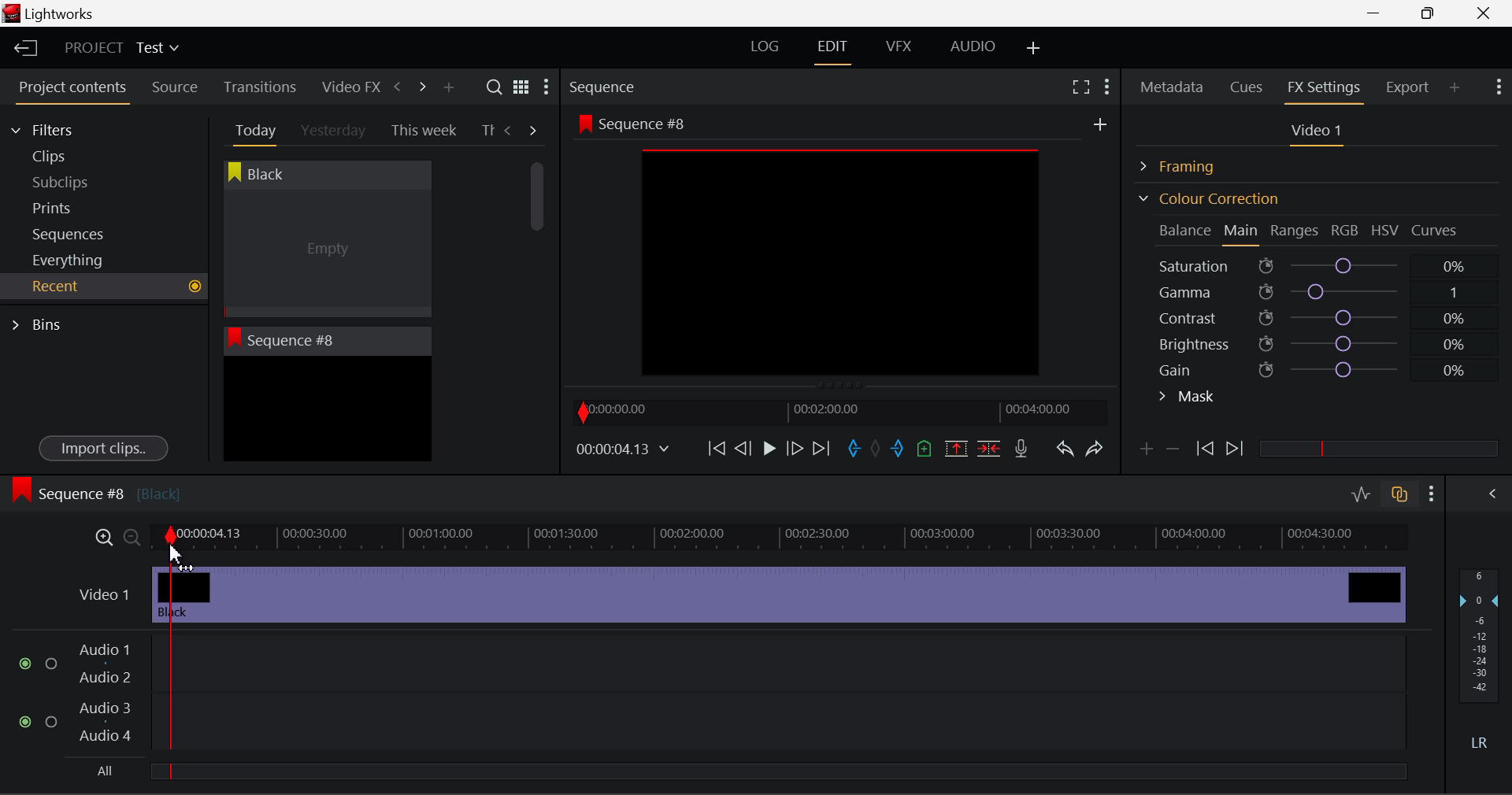 The height and width of the screenshot is (795, 1512). Describe the element at coordinates (855, 449) in the screenshot. I see `Mark In` at that location.